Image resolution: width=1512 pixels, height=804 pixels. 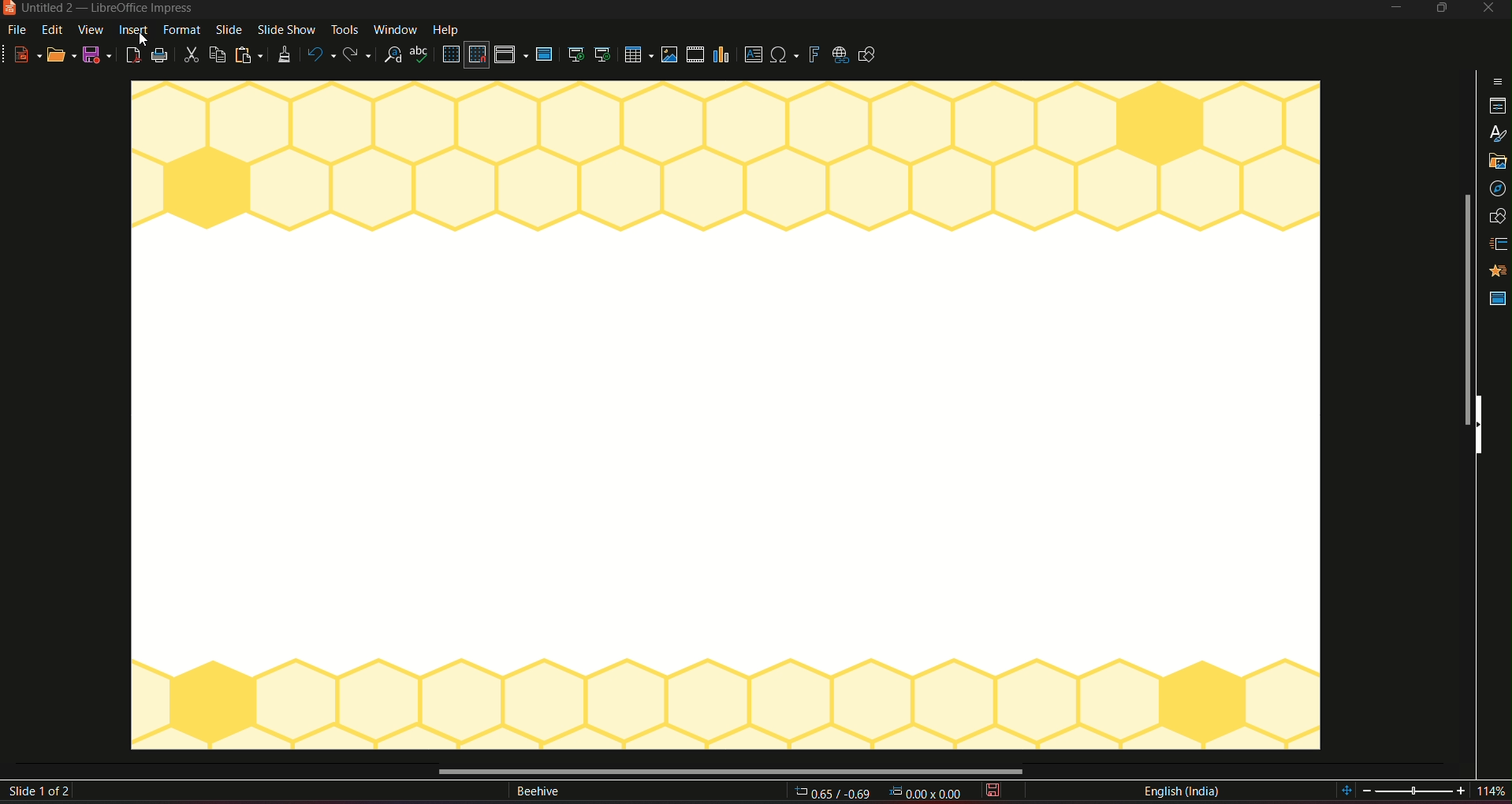 What do you see at coordinates (996, 791) in the screenshot?
I see `save` at bounding box center [996, 791].